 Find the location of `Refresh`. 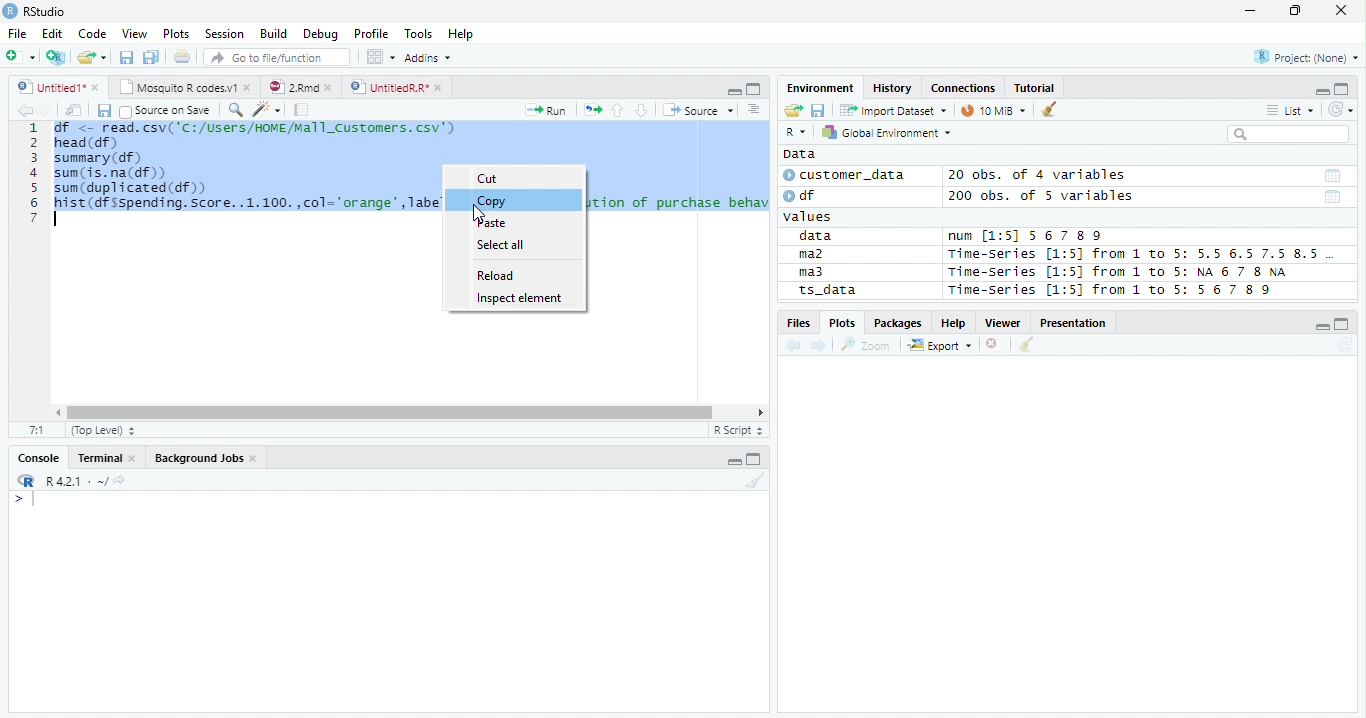

Refresh is located at coordinates (1341, 107).